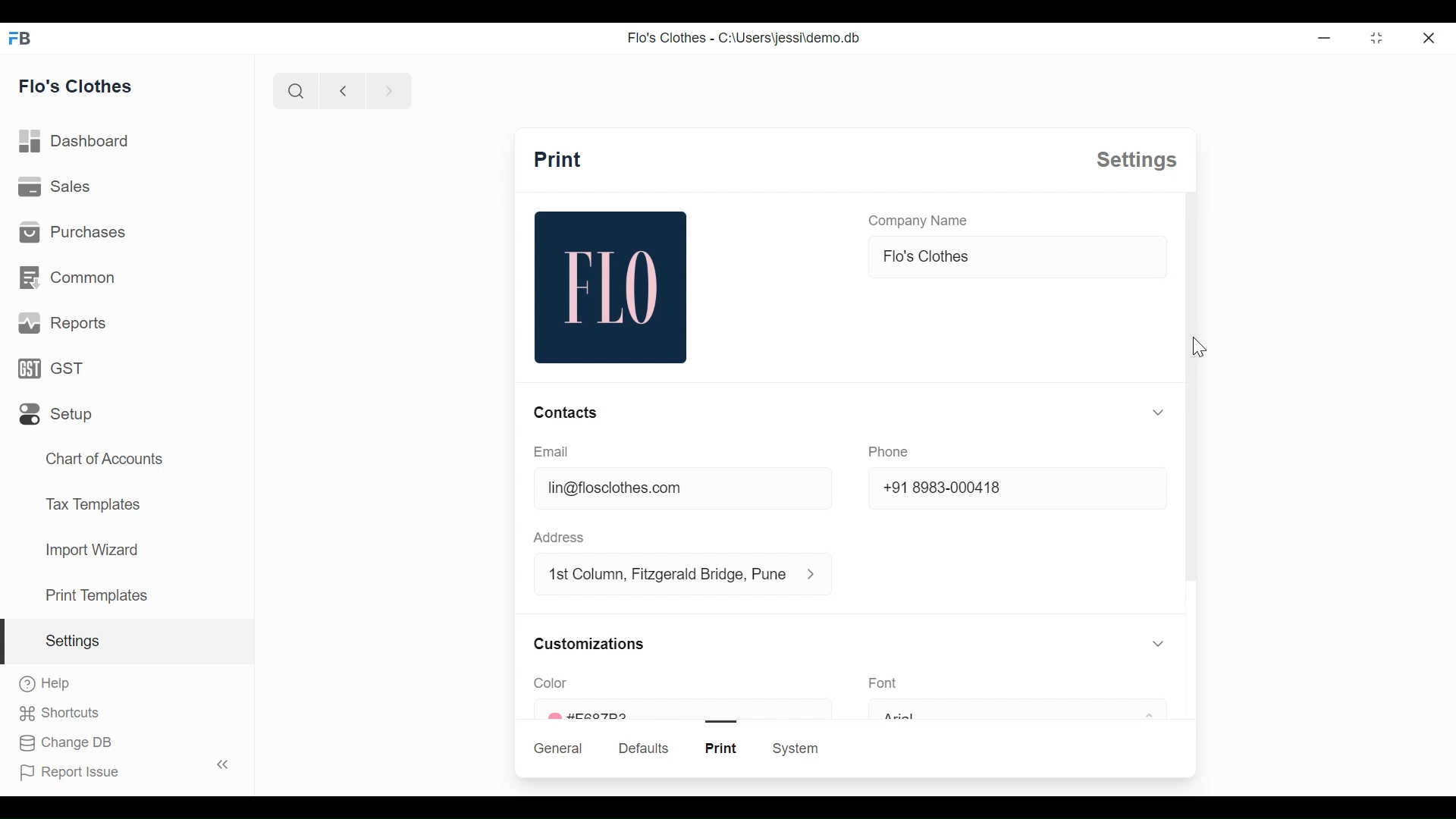 The width and height of the screenshot is (1456, 819). Describe the element at coordinates (21, 37) in the screenshot. I see `FB` at that location.